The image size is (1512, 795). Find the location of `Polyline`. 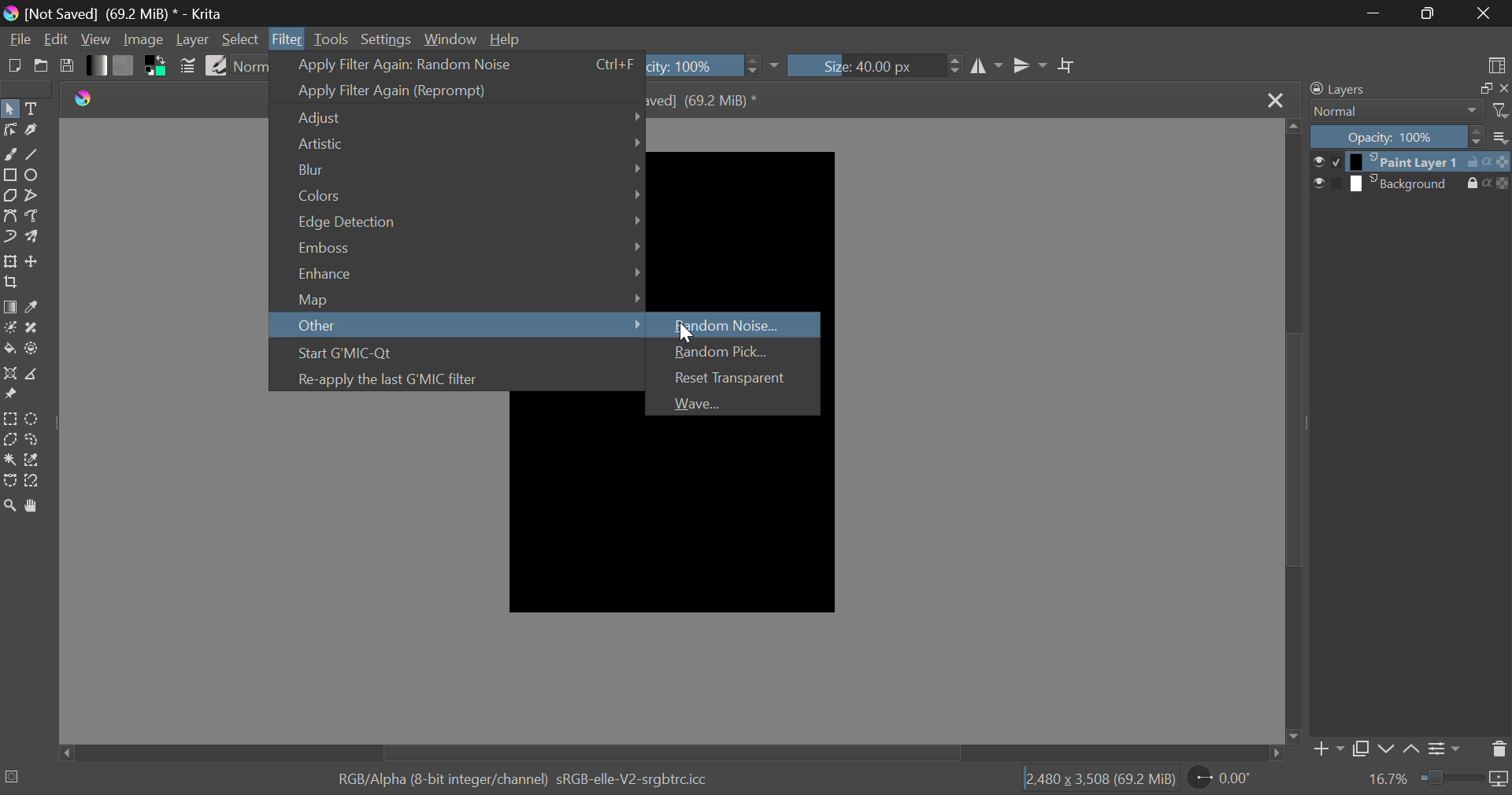

Polyline is located at coordinates (34, 195).